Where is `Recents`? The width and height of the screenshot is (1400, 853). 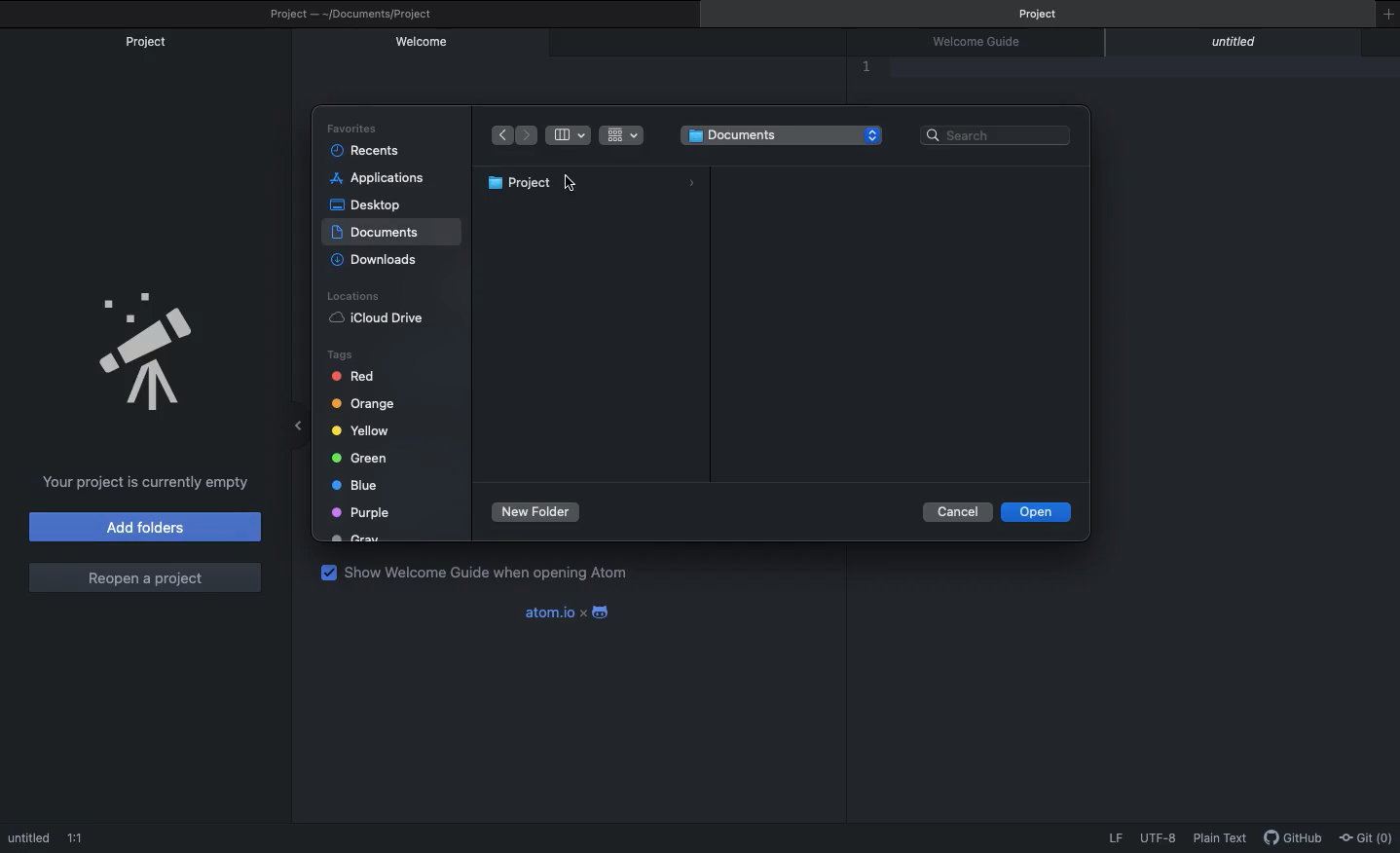 Recents is located at coordinates (371, 151).